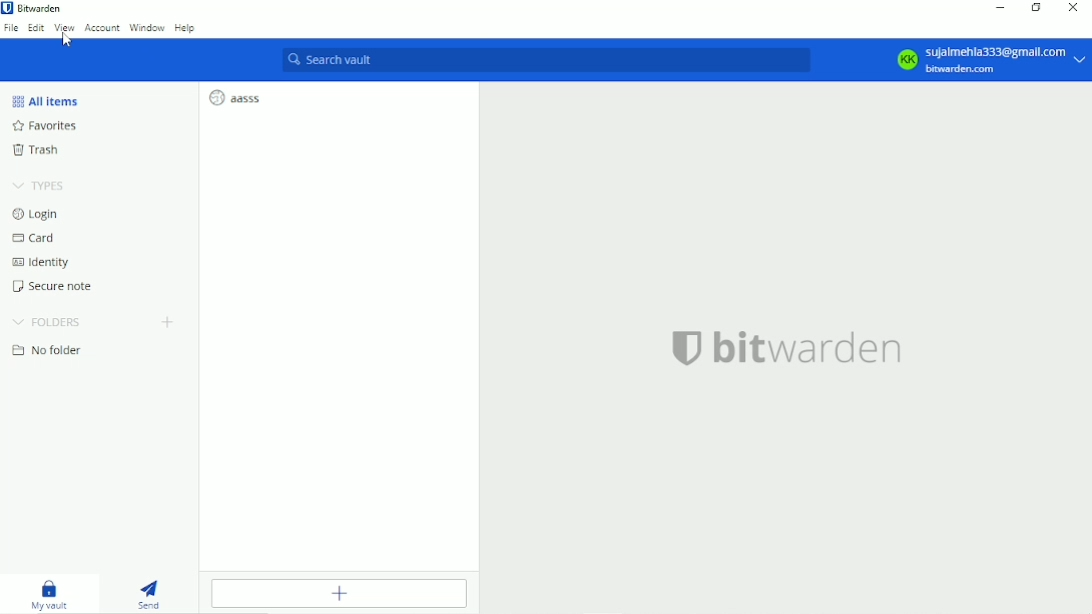  Describe the element at coordinates (1037, 7) in the screenshot. I see `Restore down` at that location.